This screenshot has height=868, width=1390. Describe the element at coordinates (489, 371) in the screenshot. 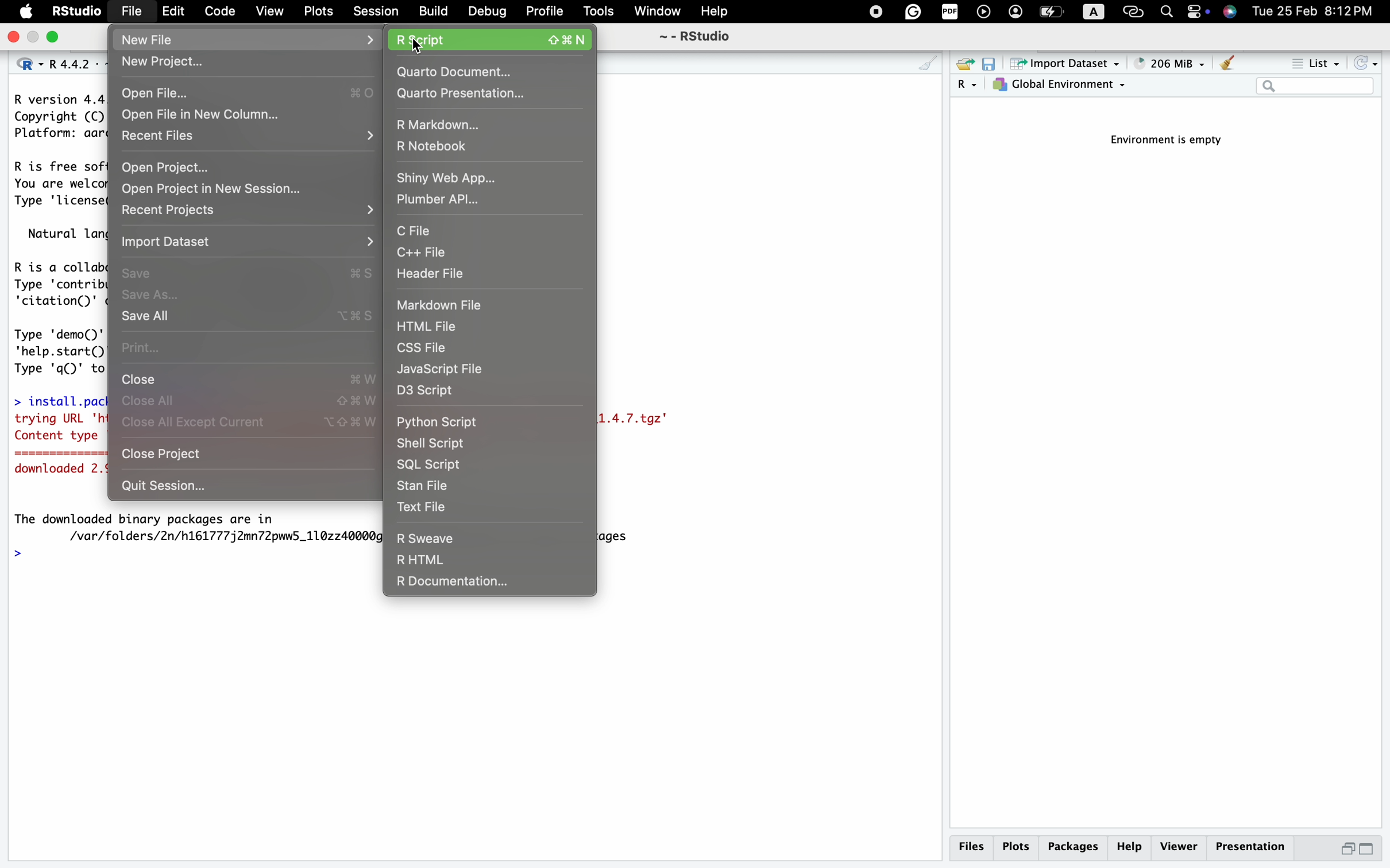

I see `javascript file` at that location.